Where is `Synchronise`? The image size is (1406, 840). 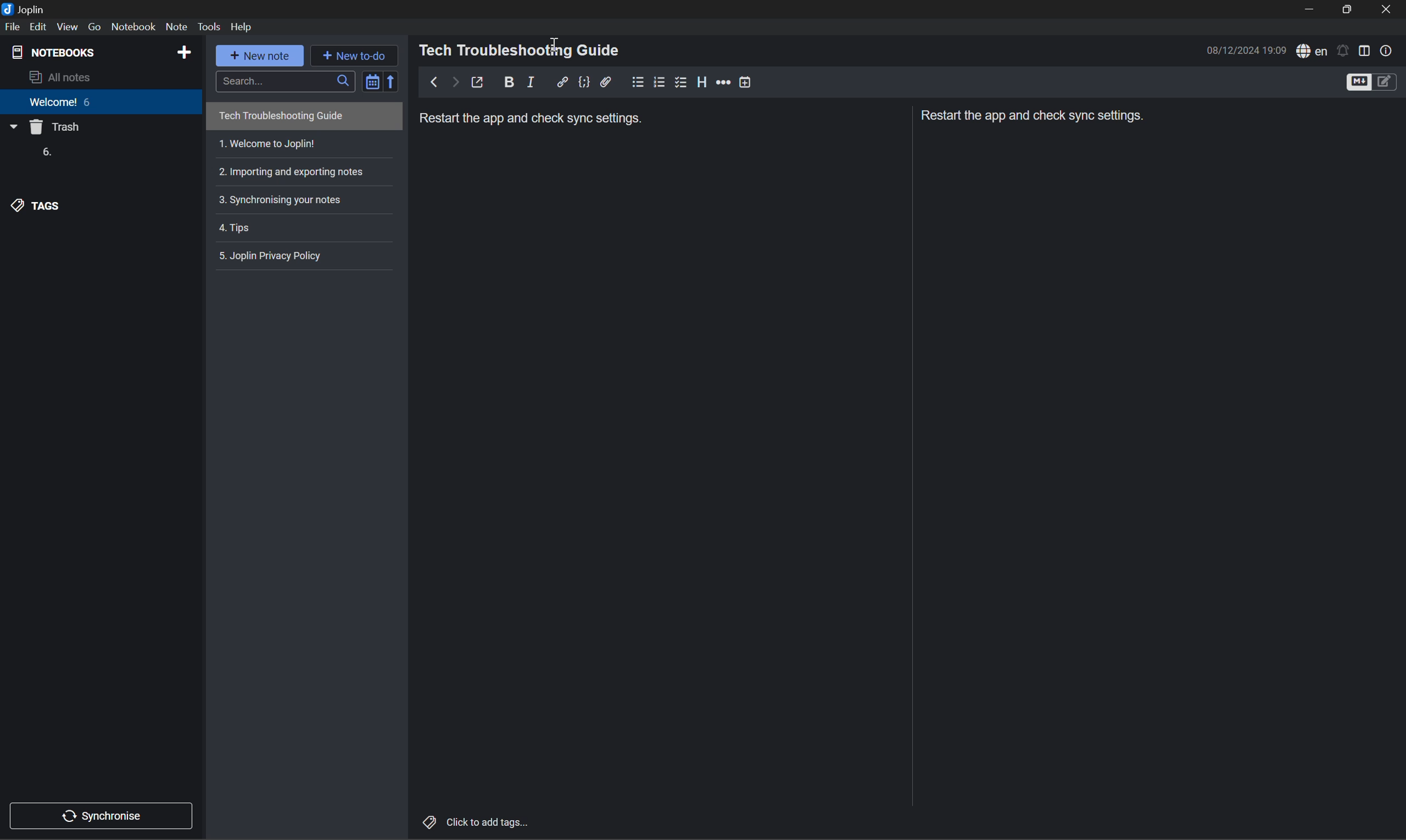 Synchronise is located at coordinates (105, 814).